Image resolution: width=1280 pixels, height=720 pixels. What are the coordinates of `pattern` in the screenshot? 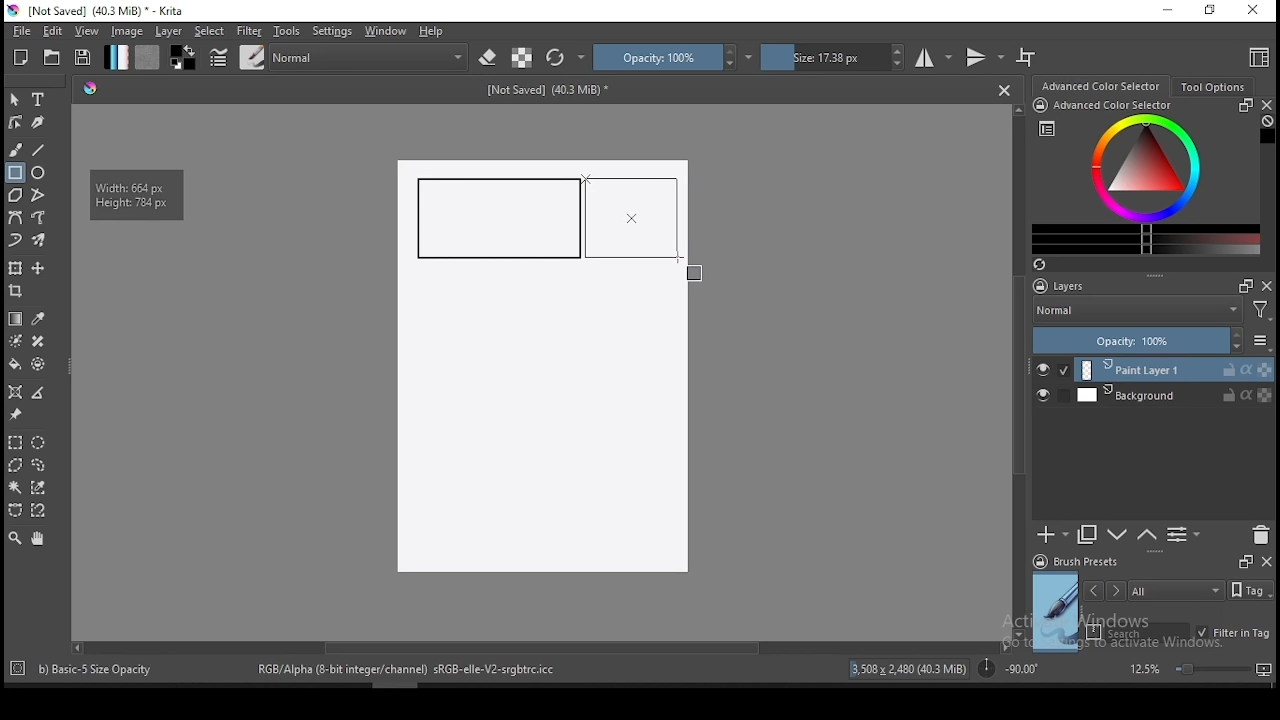 It's located at (147, 57).